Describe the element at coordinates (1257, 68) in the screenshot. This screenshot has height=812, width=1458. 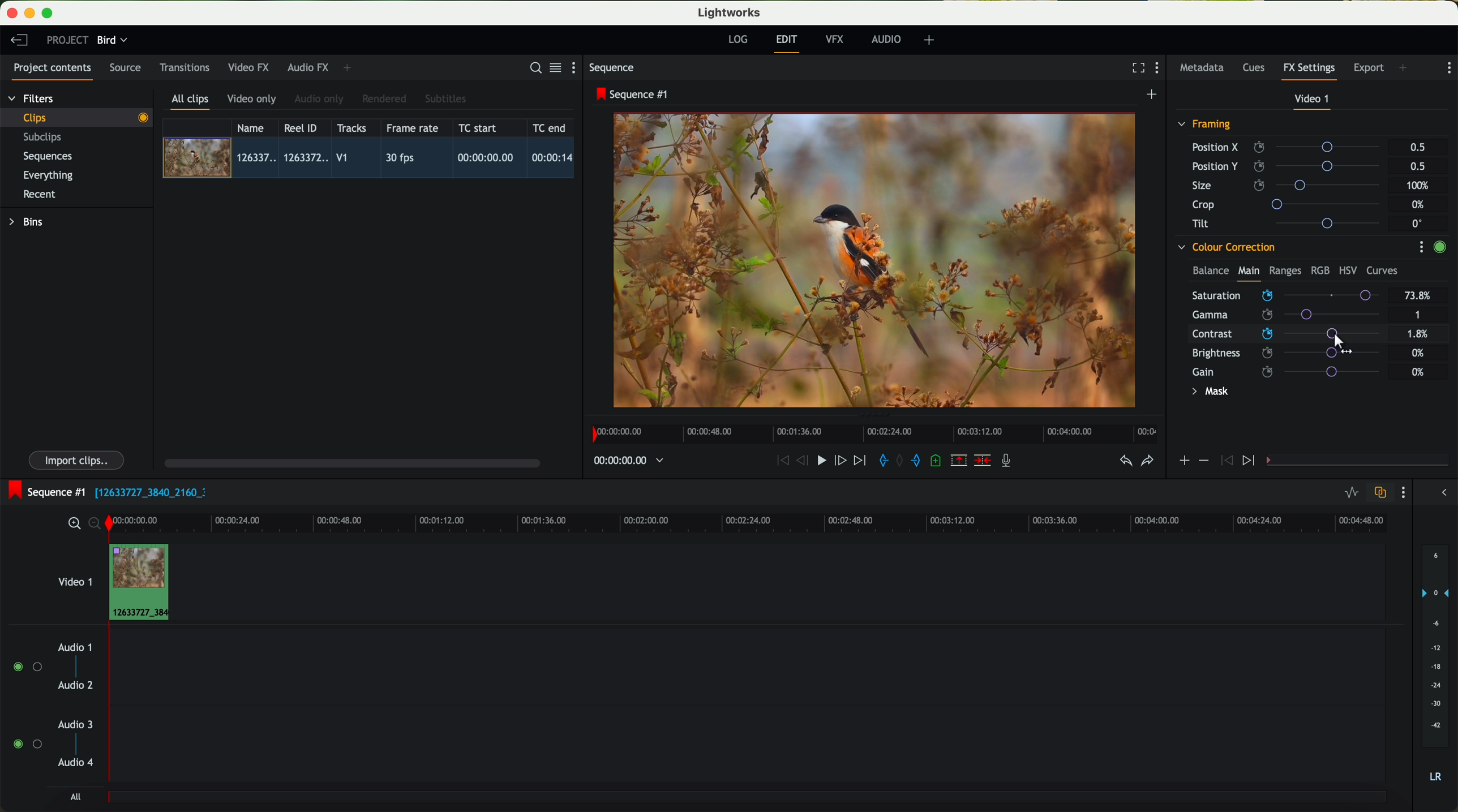
I see `cues` at that location.